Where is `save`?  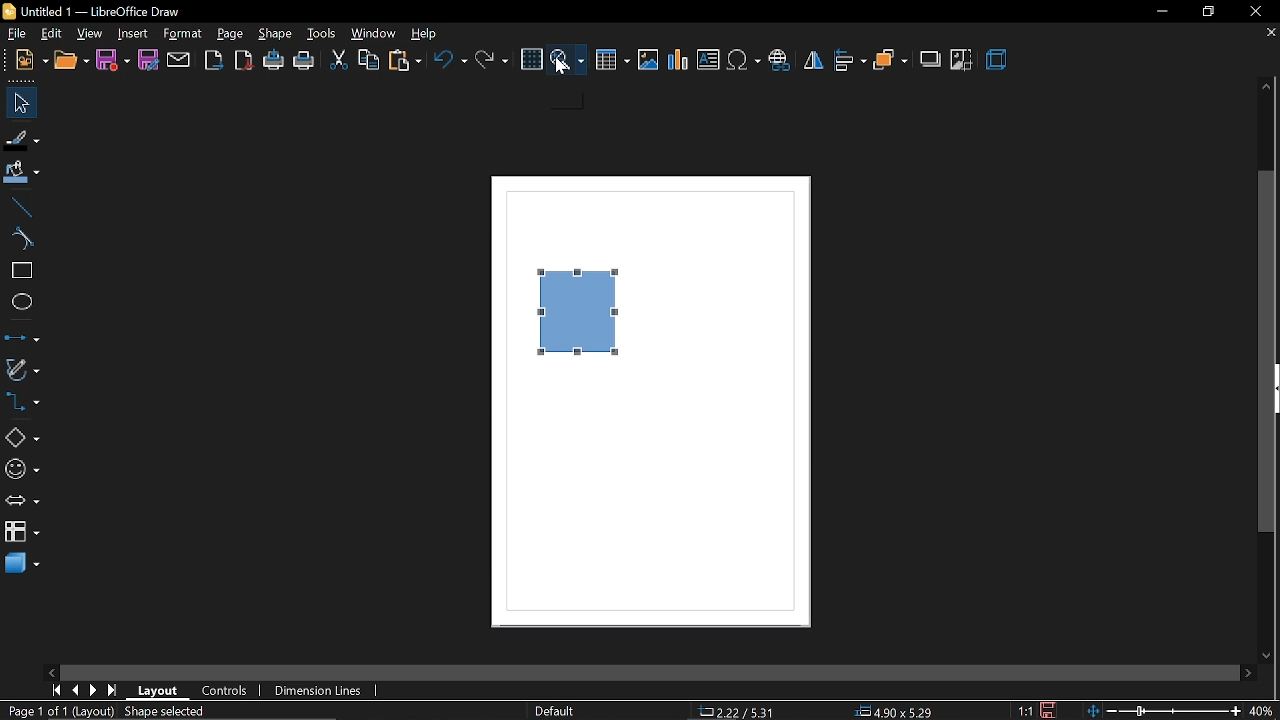 save is located at coordinates (1049, 710).